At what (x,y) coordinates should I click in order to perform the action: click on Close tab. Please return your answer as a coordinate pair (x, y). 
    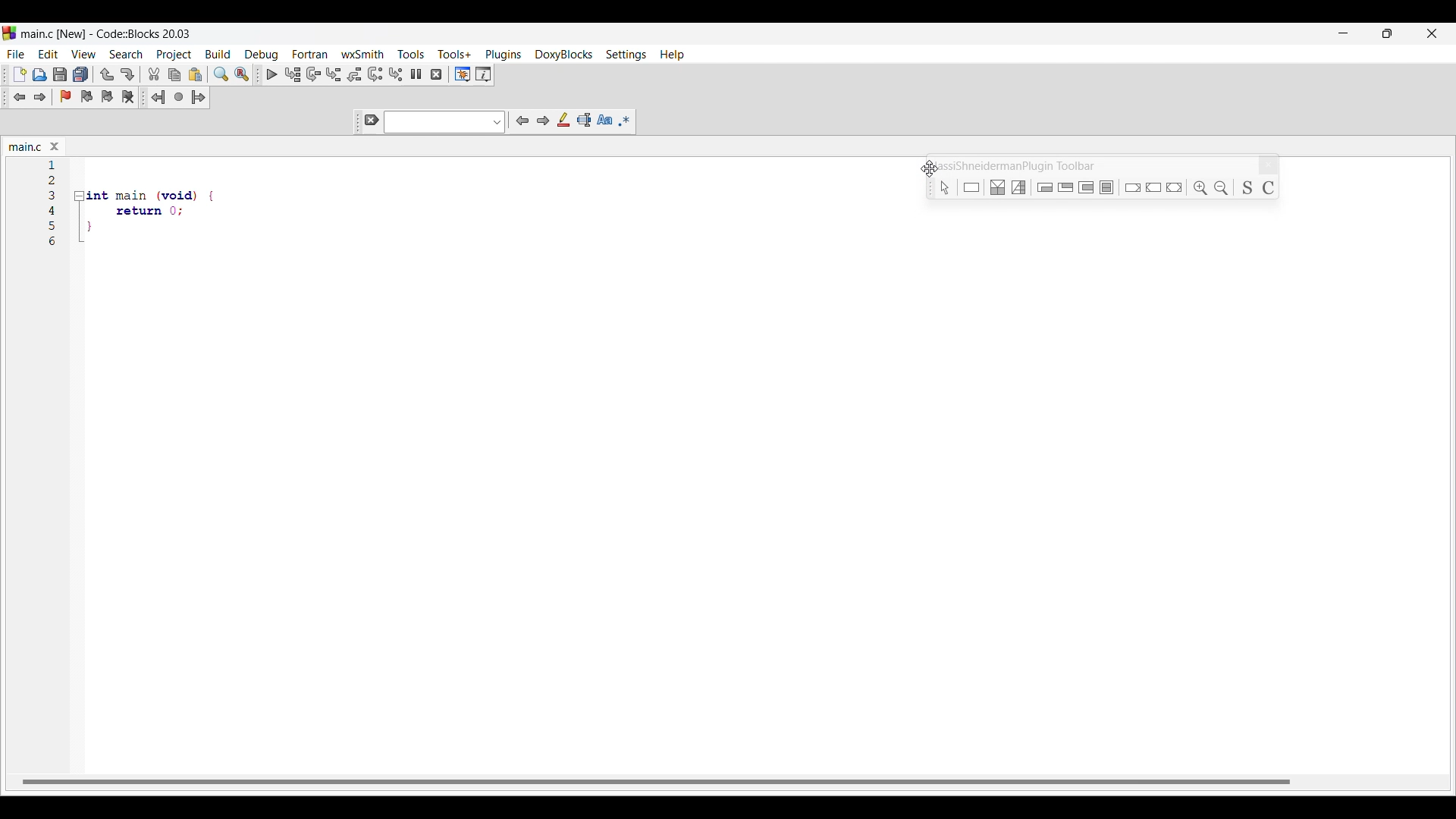
    Looking at the image, I should click on (55, 146).